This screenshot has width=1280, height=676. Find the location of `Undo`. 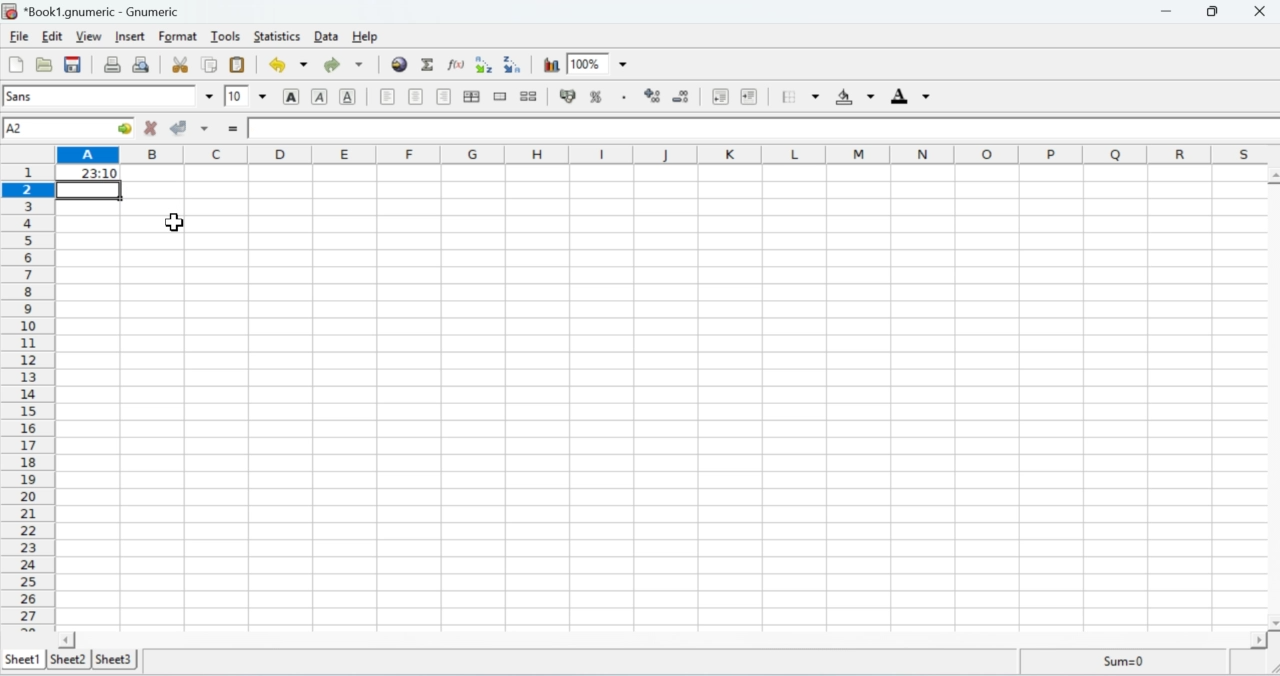

Undo is located at coordinates (284, 64).